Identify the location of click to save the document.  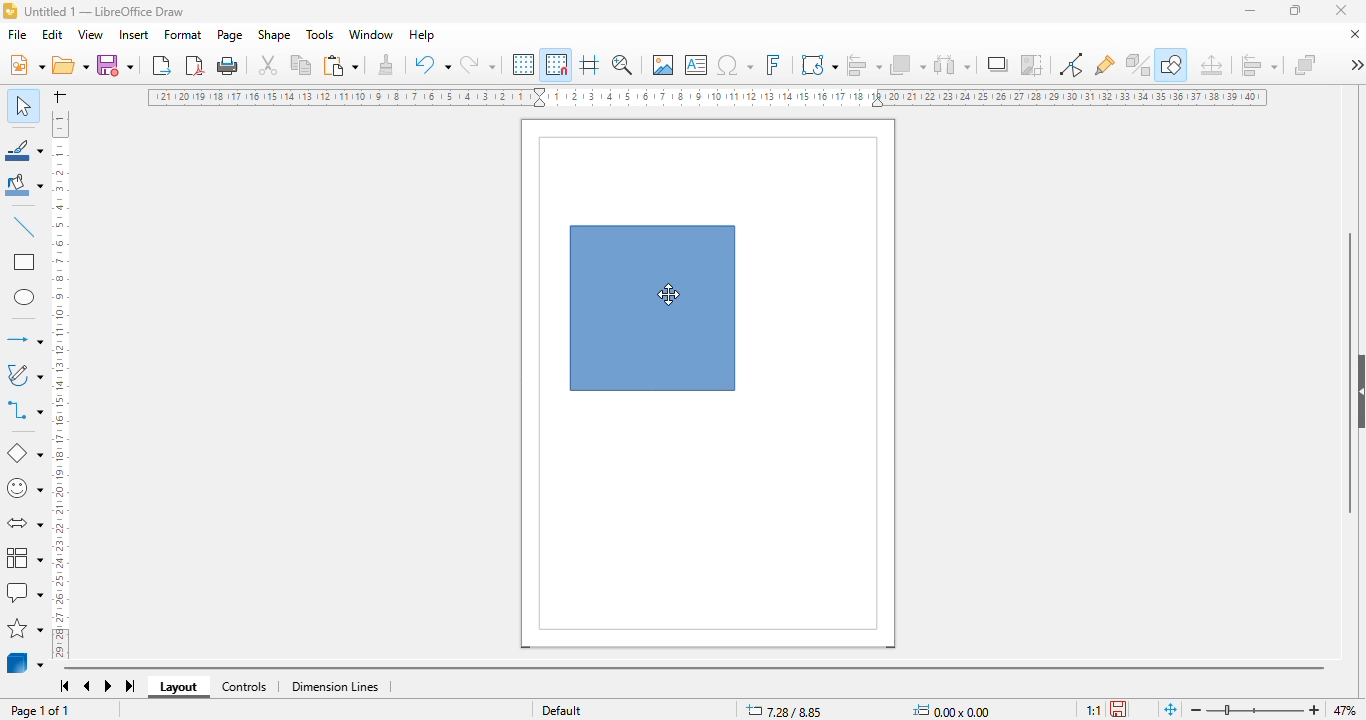
(1118, 708).